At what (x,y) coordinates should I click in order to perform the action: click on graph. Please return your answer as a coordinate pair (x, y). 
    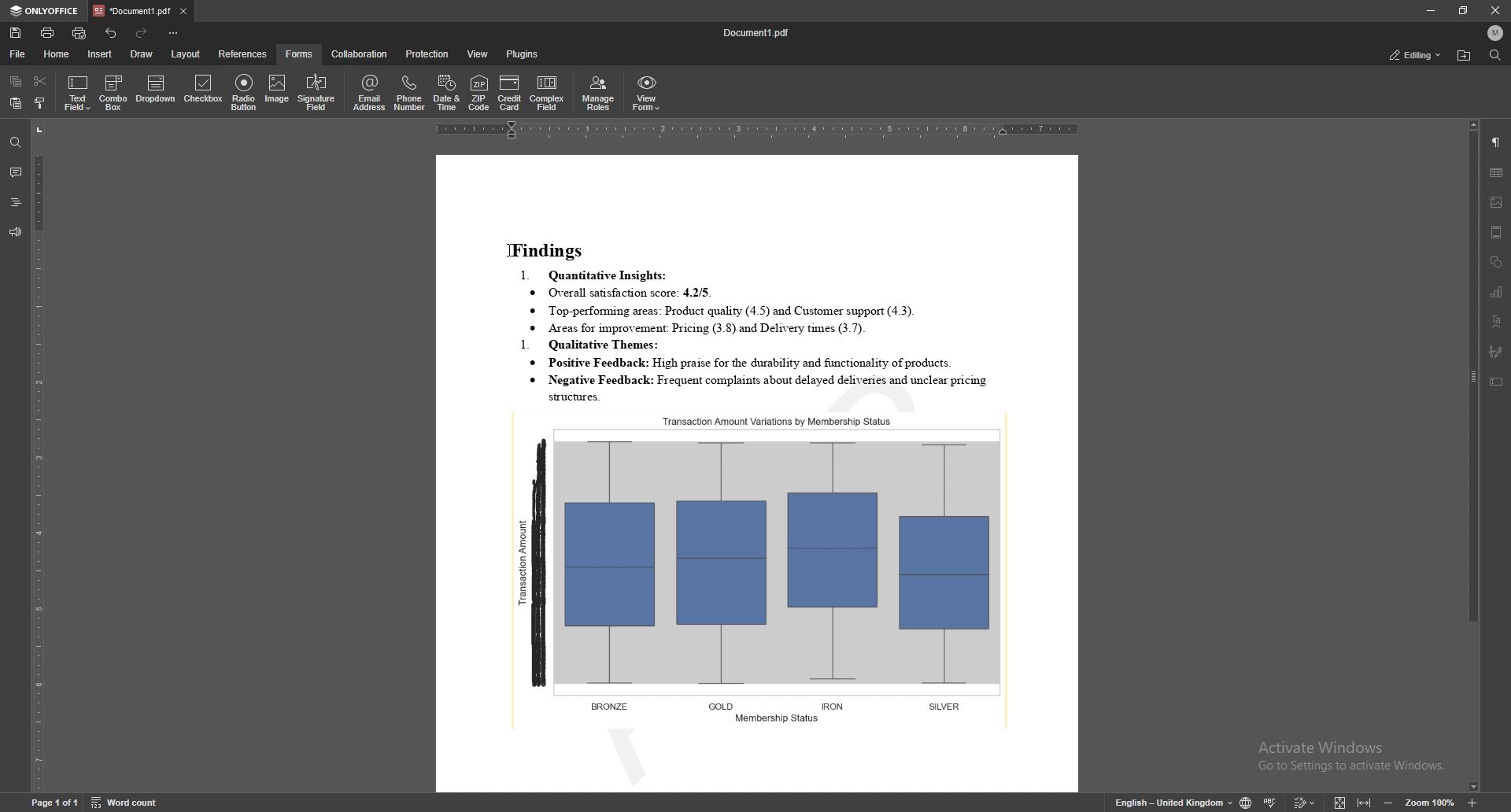
    Looking at the image, I should click on (763, 567).